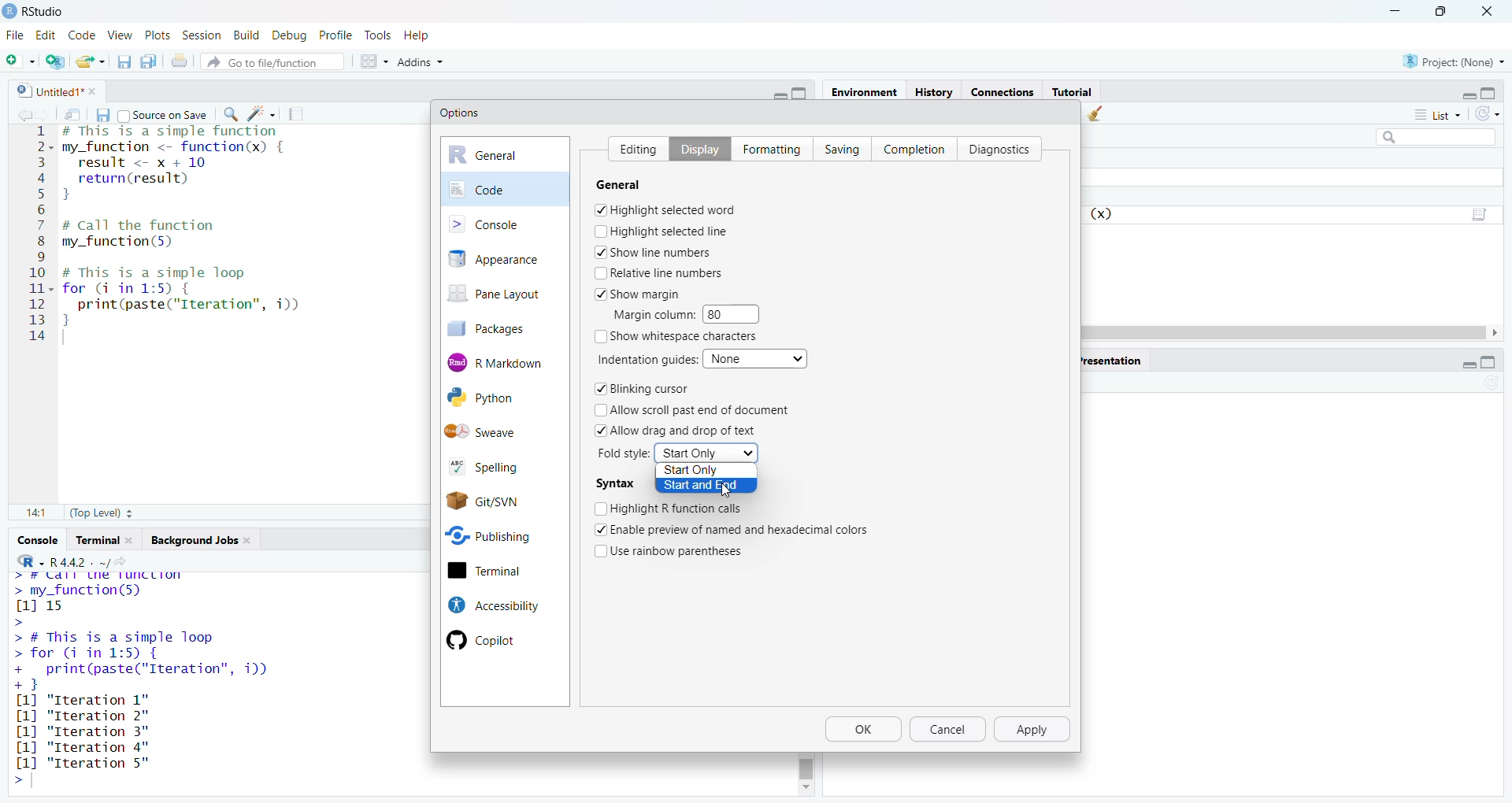 The width and height of the screenshot is (1512, 803). What do you see at coordinates (660, 272) in the screenshot?
I see `relative line numbers` at bounding box center [660, 272].